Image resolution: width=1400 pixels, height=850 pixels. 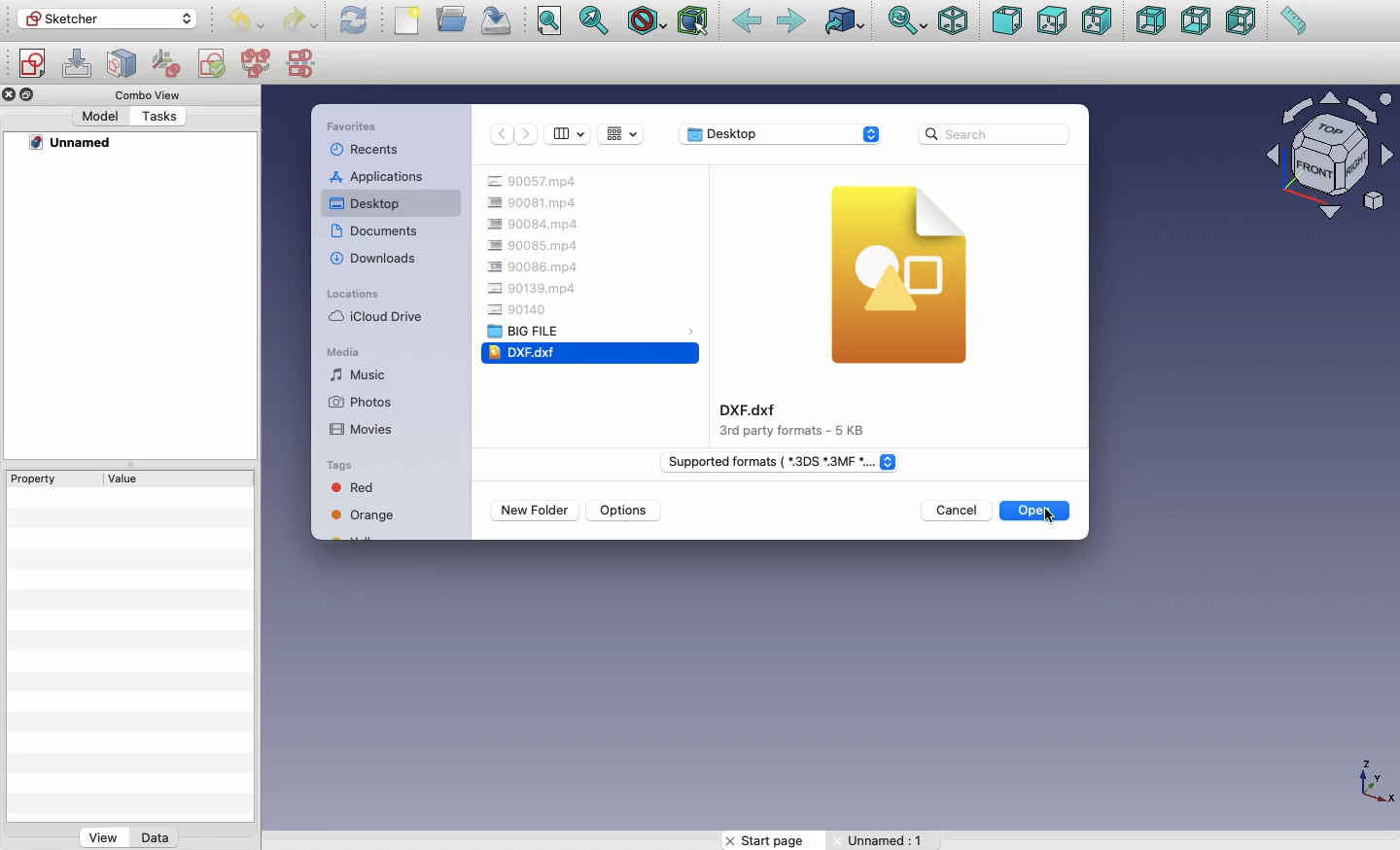 I want to click on Undo, so click(x=249, y=22).